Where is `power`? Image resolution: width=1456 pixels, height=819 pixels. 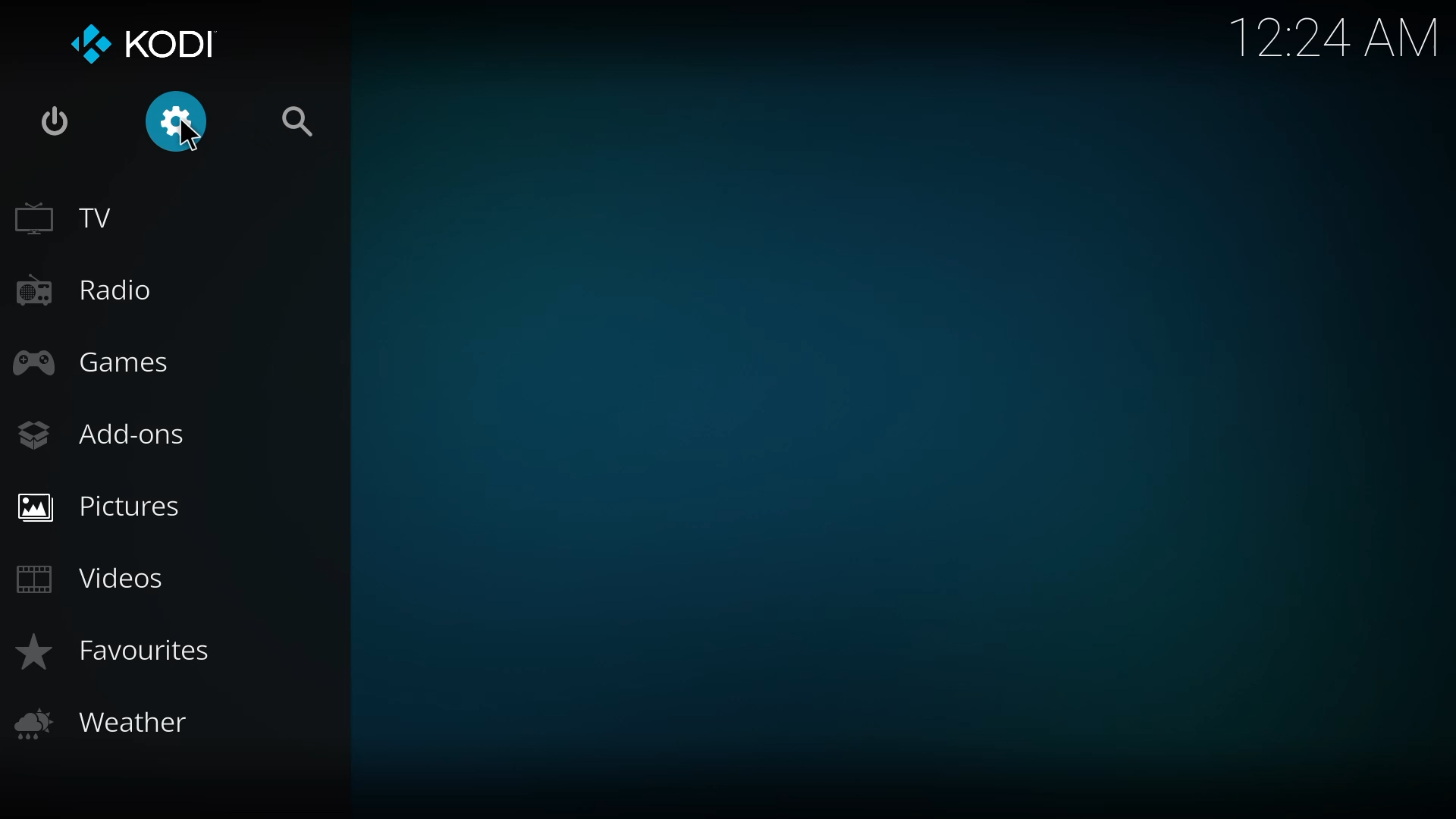
power is located at coordinates (52, 124).